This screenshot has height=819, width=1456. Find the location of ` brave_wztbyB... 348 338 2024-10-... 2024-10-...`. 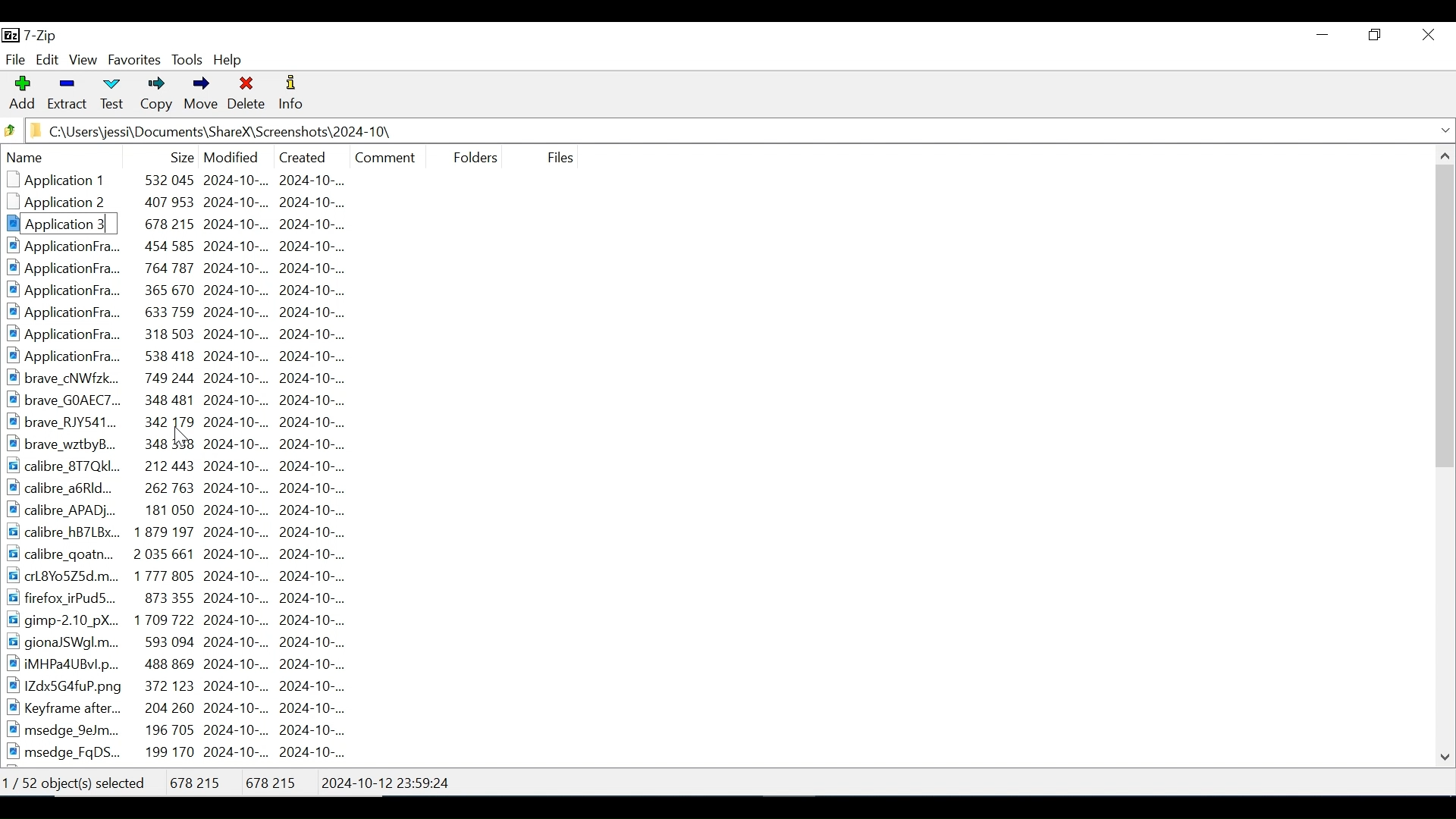

 brave_wztbyB... 348 338 2024-10-... 2024-10-... is located at coordinates (195, 443).